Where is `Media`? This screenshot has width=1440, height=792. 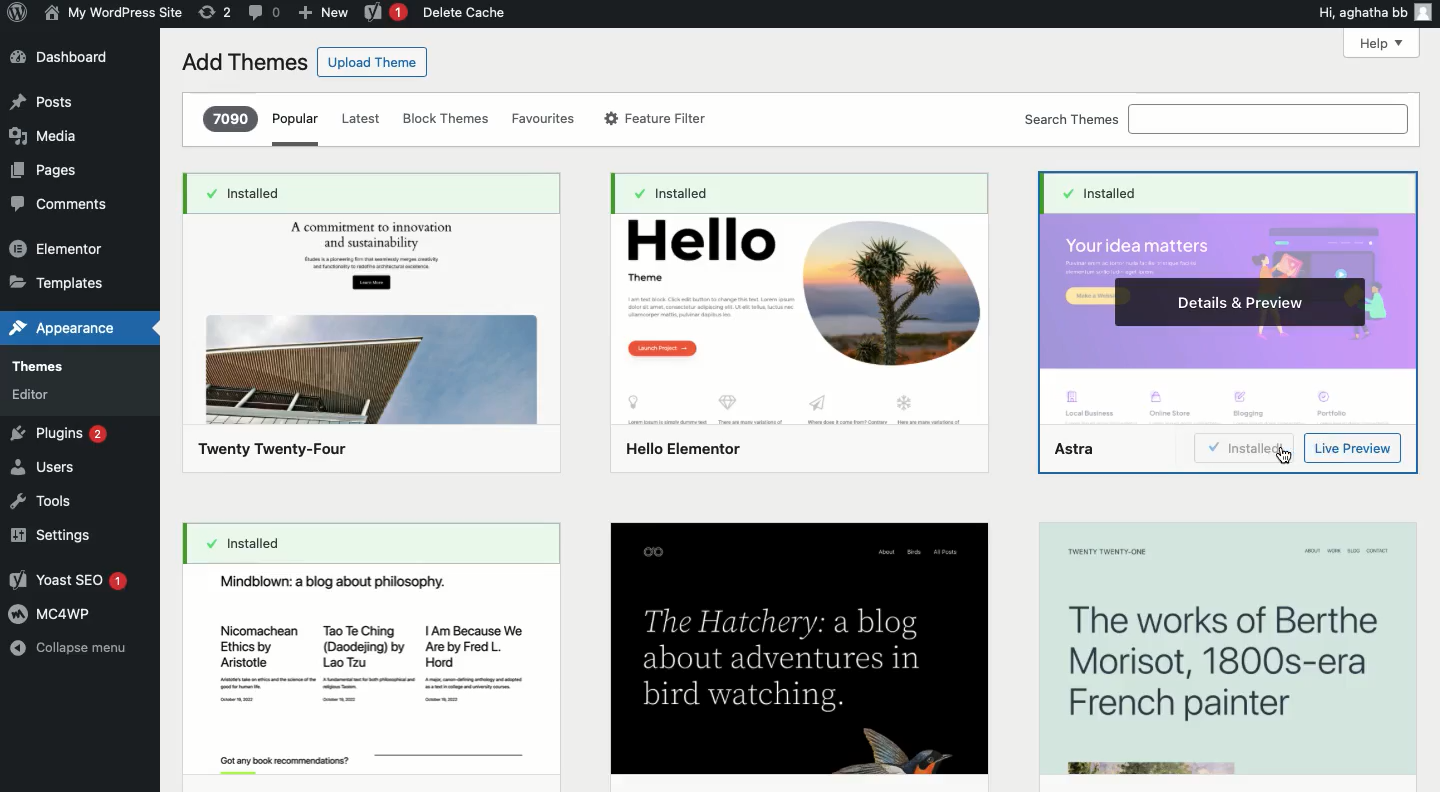 Media is located at coordinates (49, 133).